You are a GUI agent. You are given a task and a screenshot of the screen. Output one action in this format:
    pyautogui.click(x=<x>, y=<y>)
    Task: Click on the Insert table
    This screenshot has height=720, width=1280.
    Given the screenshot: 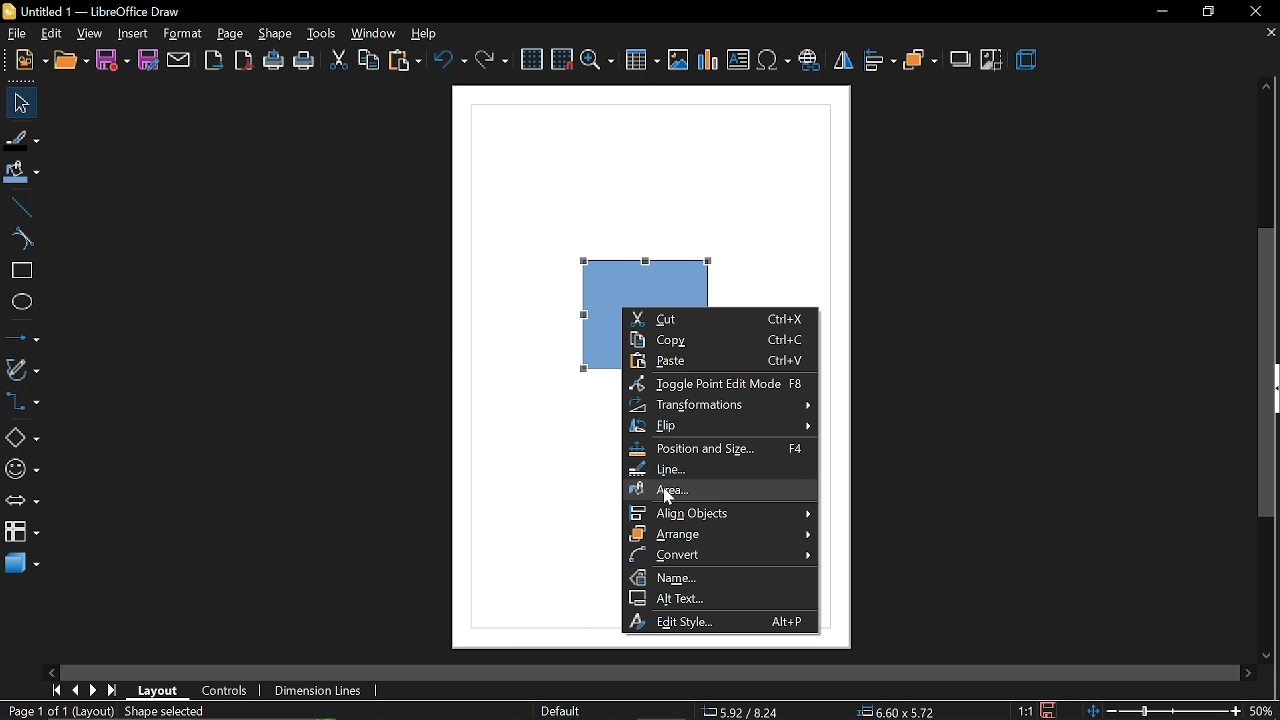 What is the action you would take?
    pyautogui.click(x=642, y=61)
    